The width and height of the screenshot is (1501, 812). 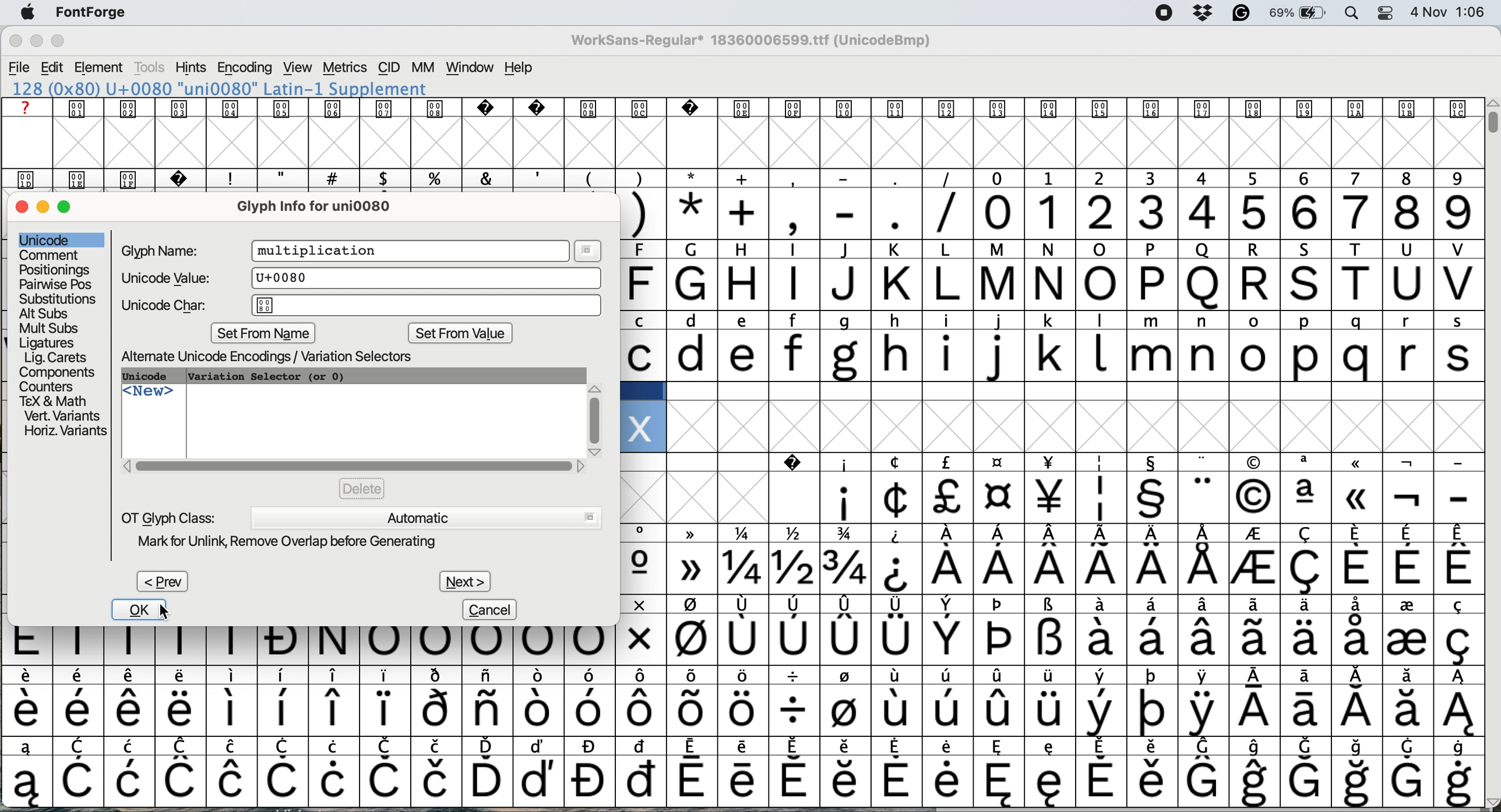 What do you see at coordinates (64, 432) in the screenshot?
I see `horizontal variants` at bounding box center [64, 432].